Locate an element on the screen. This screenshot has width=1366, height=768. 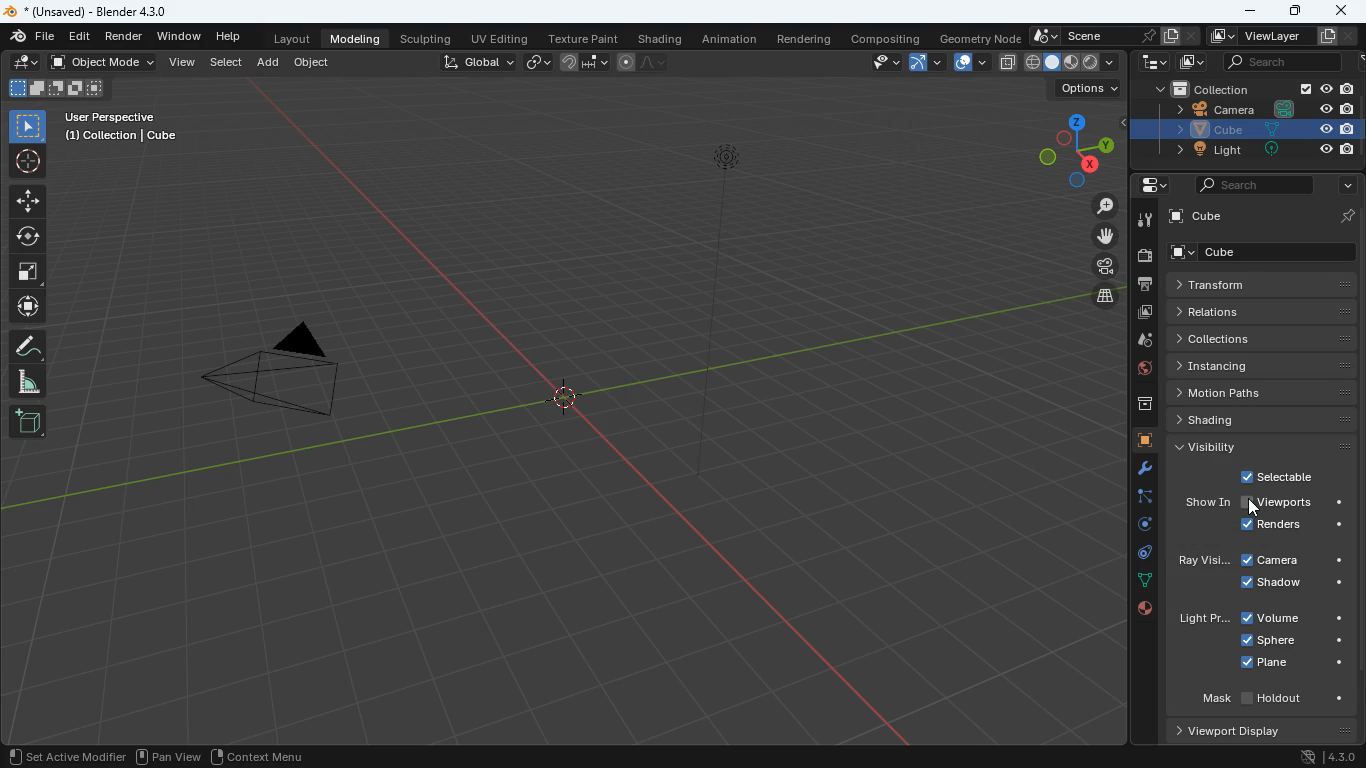
zoom is located at coordinates (1098, 207).